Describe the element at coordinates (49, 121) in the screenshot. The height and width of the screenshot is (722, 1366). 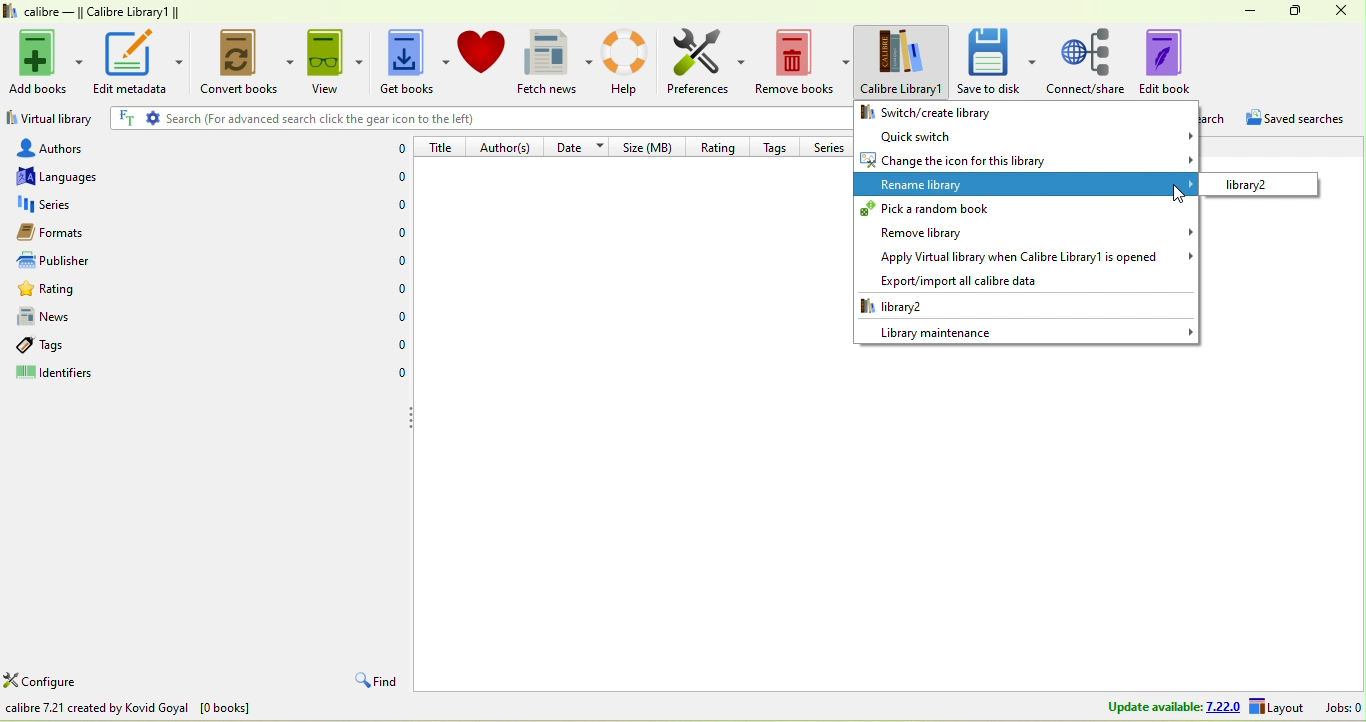
I see `virtual library` at that location.